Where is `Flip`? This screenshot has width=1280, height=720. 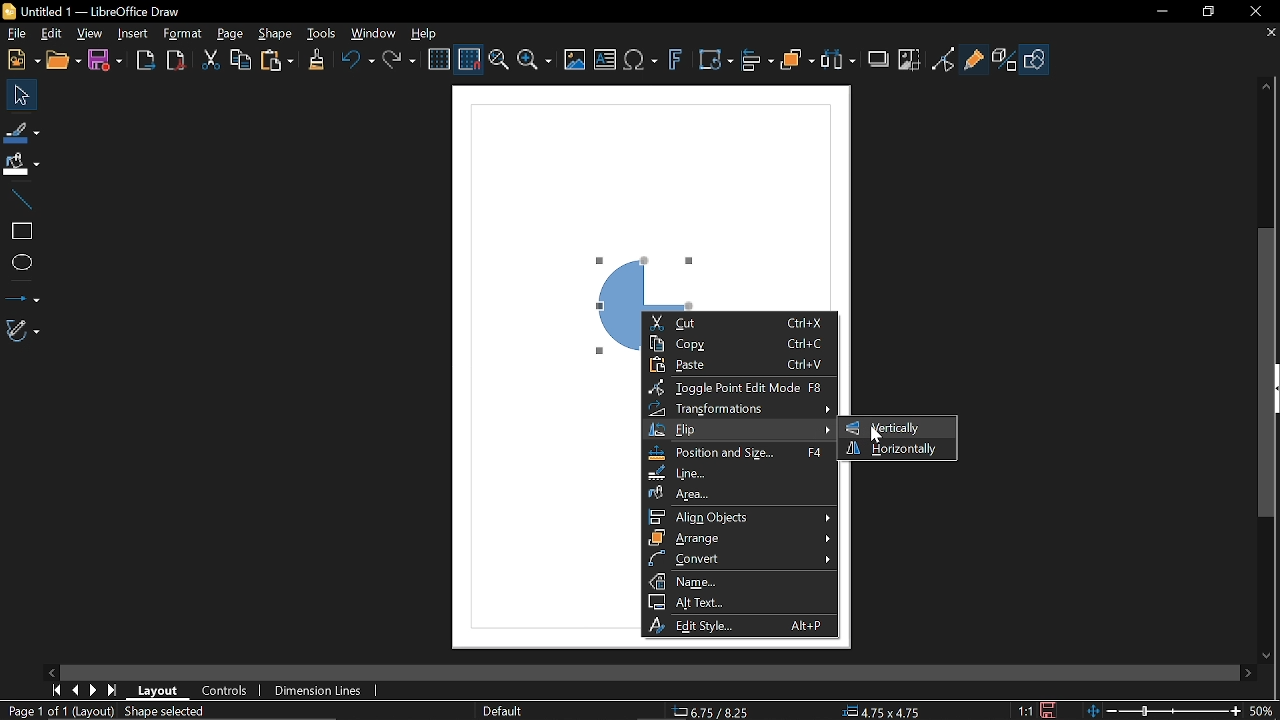 Flip is located at coordinates (739, 432).